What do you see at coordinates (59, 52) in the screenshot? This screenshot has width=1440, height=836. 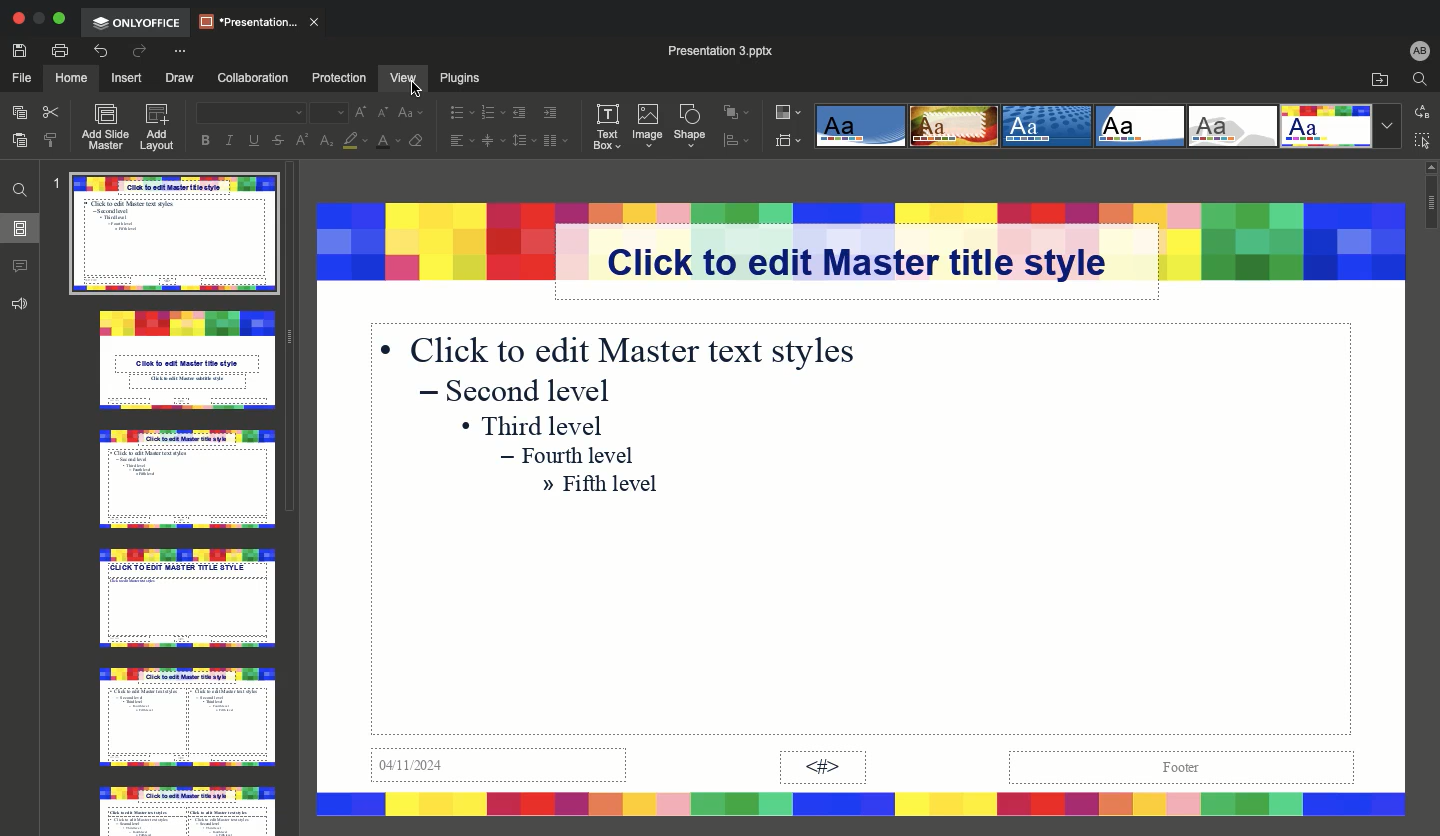 I see `Print` at bounding box center [59, 52].